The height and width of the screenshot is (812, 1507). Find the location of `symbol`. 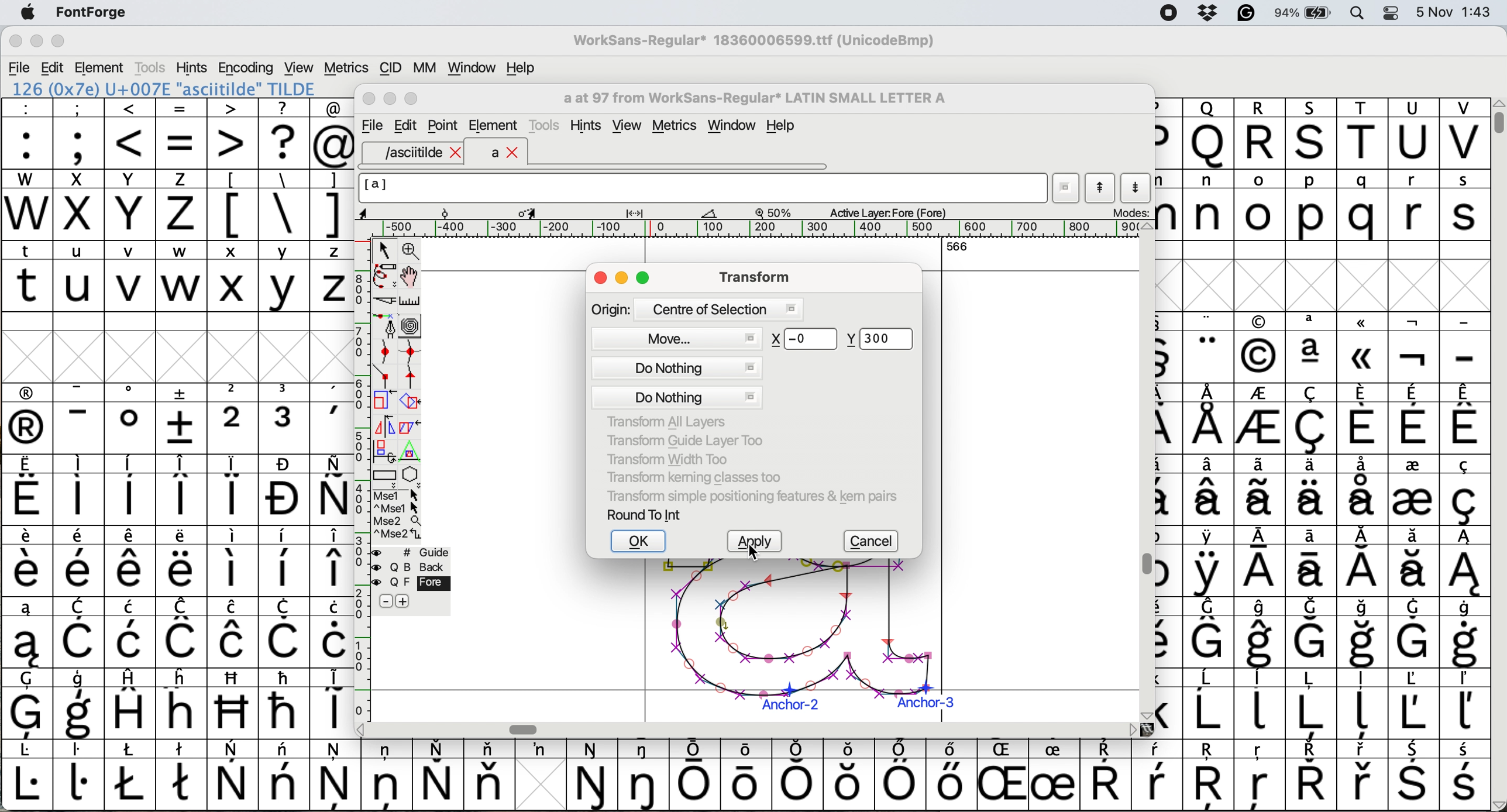

symbol is located at coordinates (234, 776).